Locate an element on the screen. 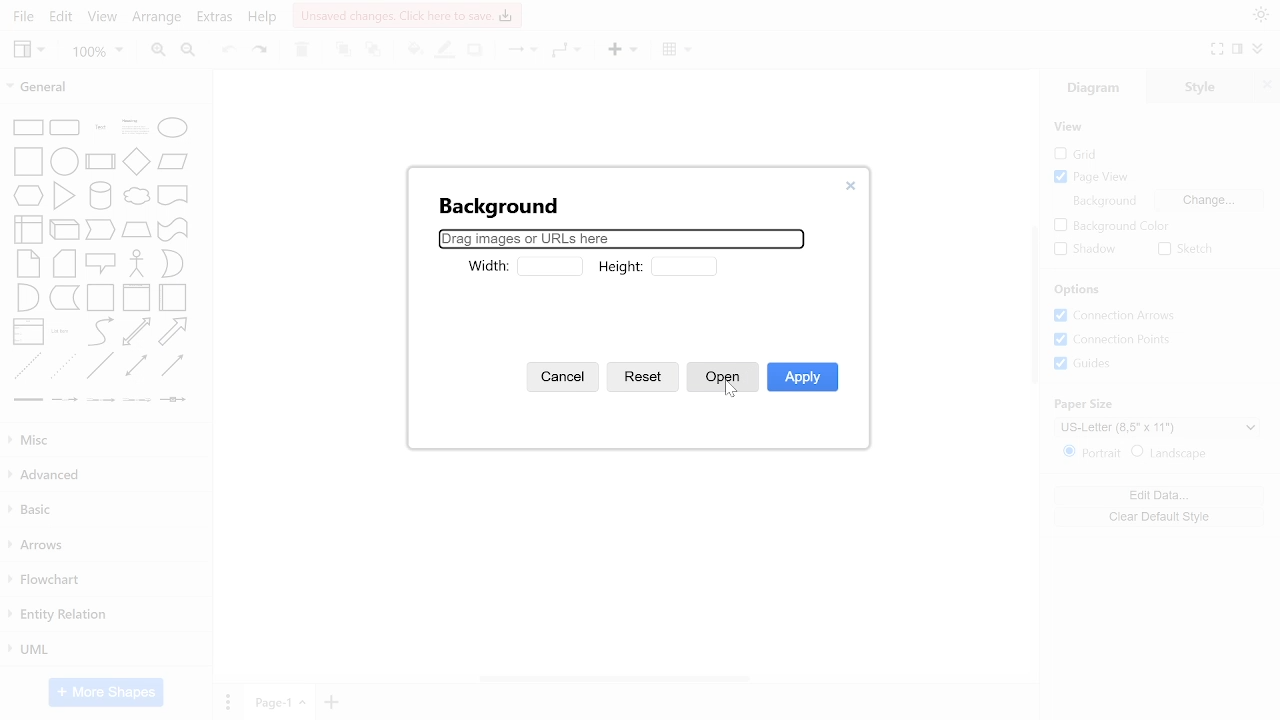 Image resolution: width=1280 pixels, height=720 pixels. to front is located at coordinates (343, 50).